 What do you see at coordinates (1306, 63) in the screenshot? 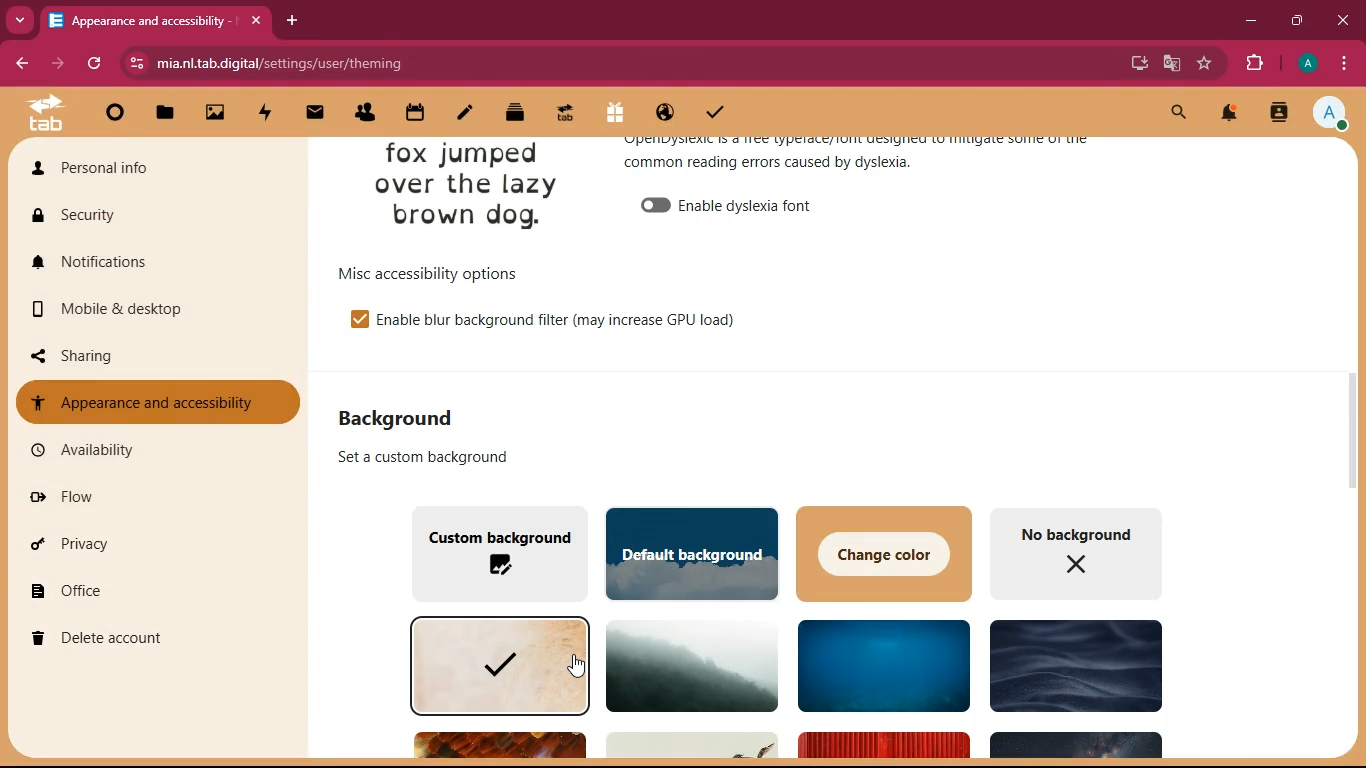
I see `pfoile` at bounding box center [1306, 63].